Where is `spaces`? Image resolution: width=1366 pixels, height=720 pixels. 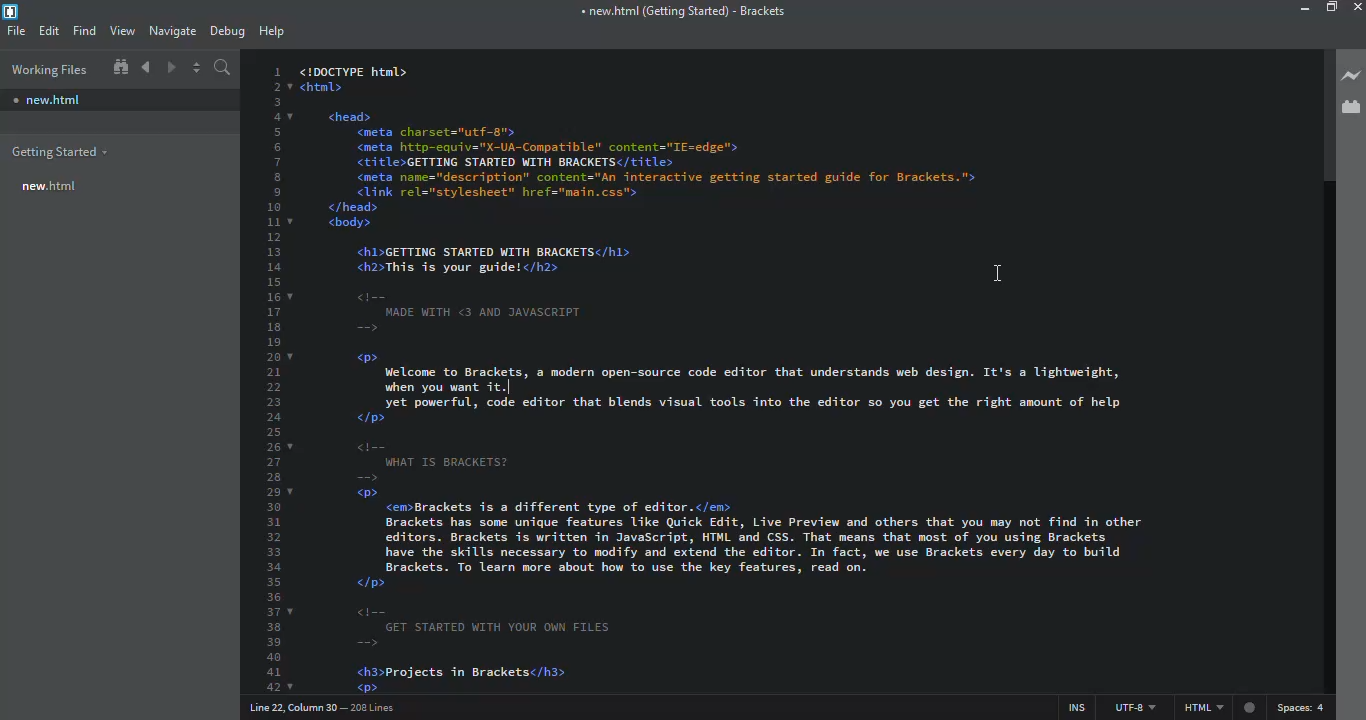 spaces is located at coordinates (1302, 708).